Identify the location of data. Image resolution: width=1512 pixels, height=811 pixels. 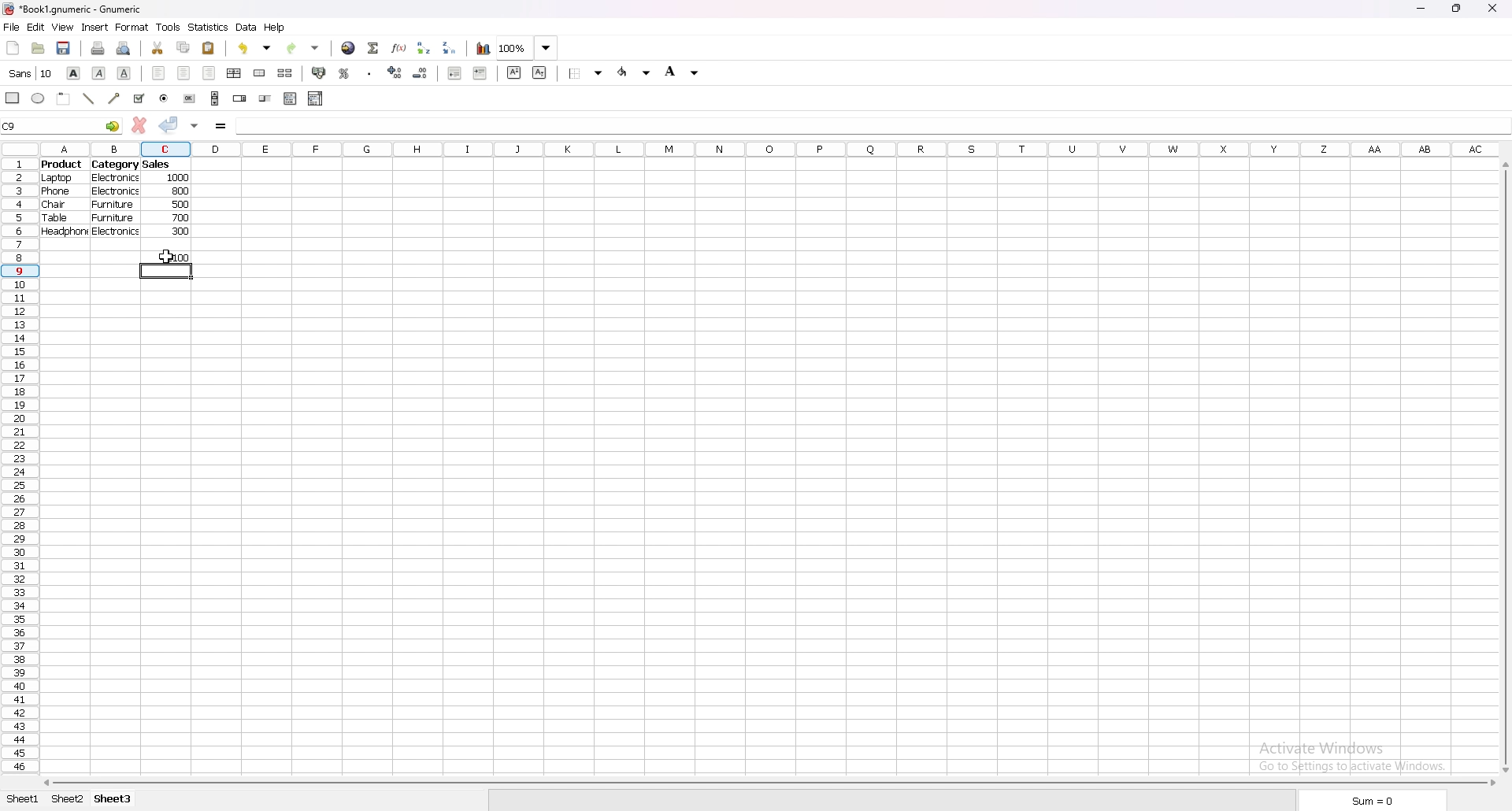
(246, 27).